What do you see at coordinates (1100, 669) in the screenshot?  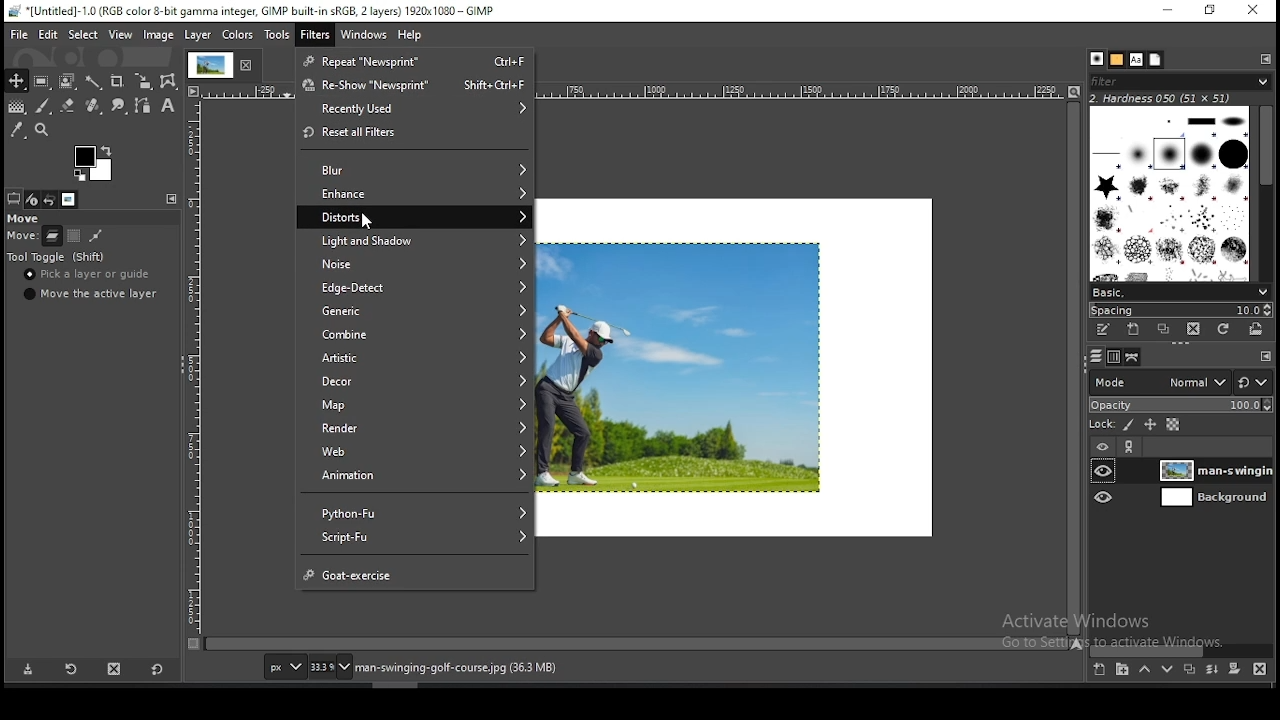 I see `create a new layer` at bounding box center [1100, 669].